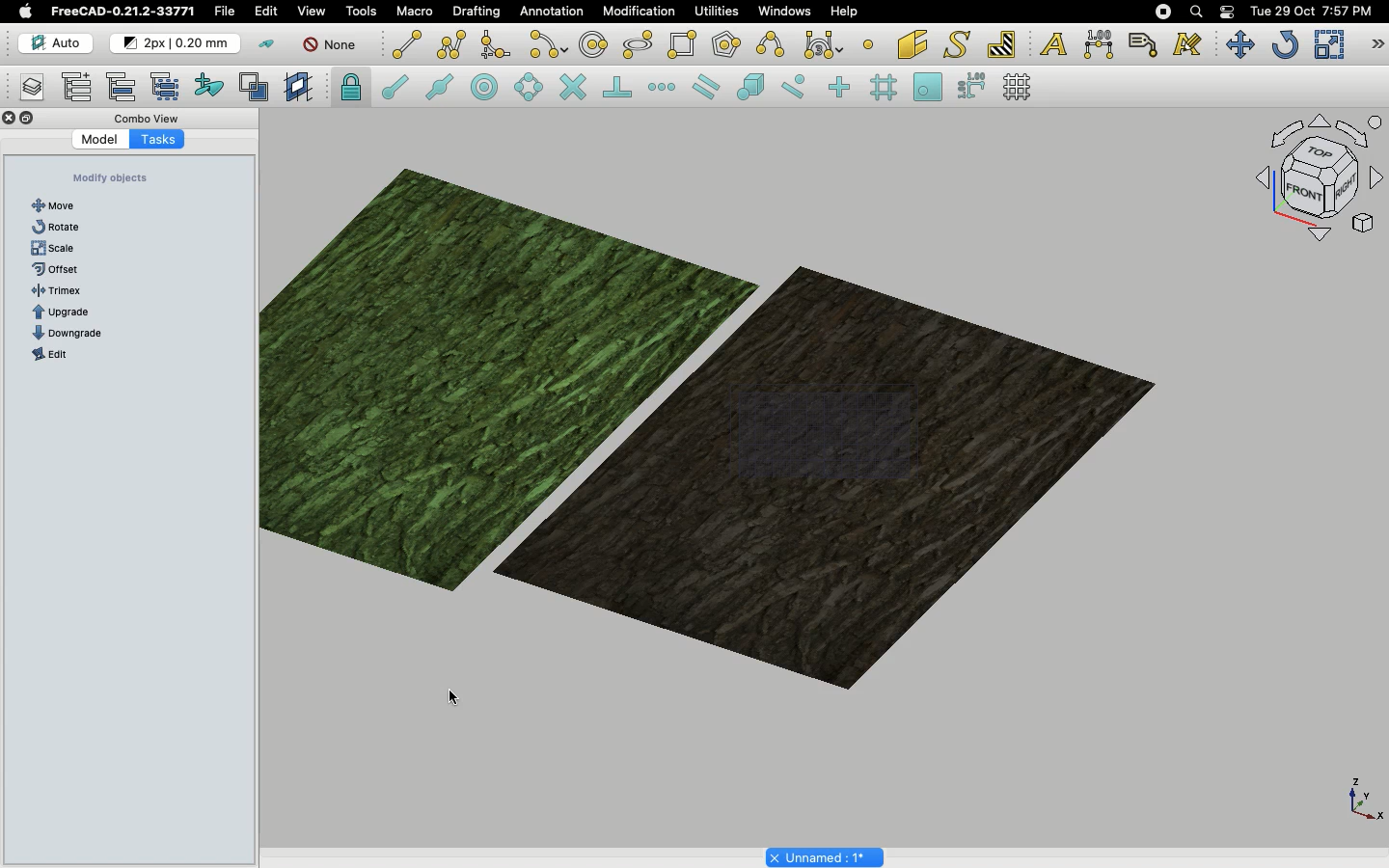 This screenshot has height=868, width=1389. I want to click on Snap center, so click(490, 86).